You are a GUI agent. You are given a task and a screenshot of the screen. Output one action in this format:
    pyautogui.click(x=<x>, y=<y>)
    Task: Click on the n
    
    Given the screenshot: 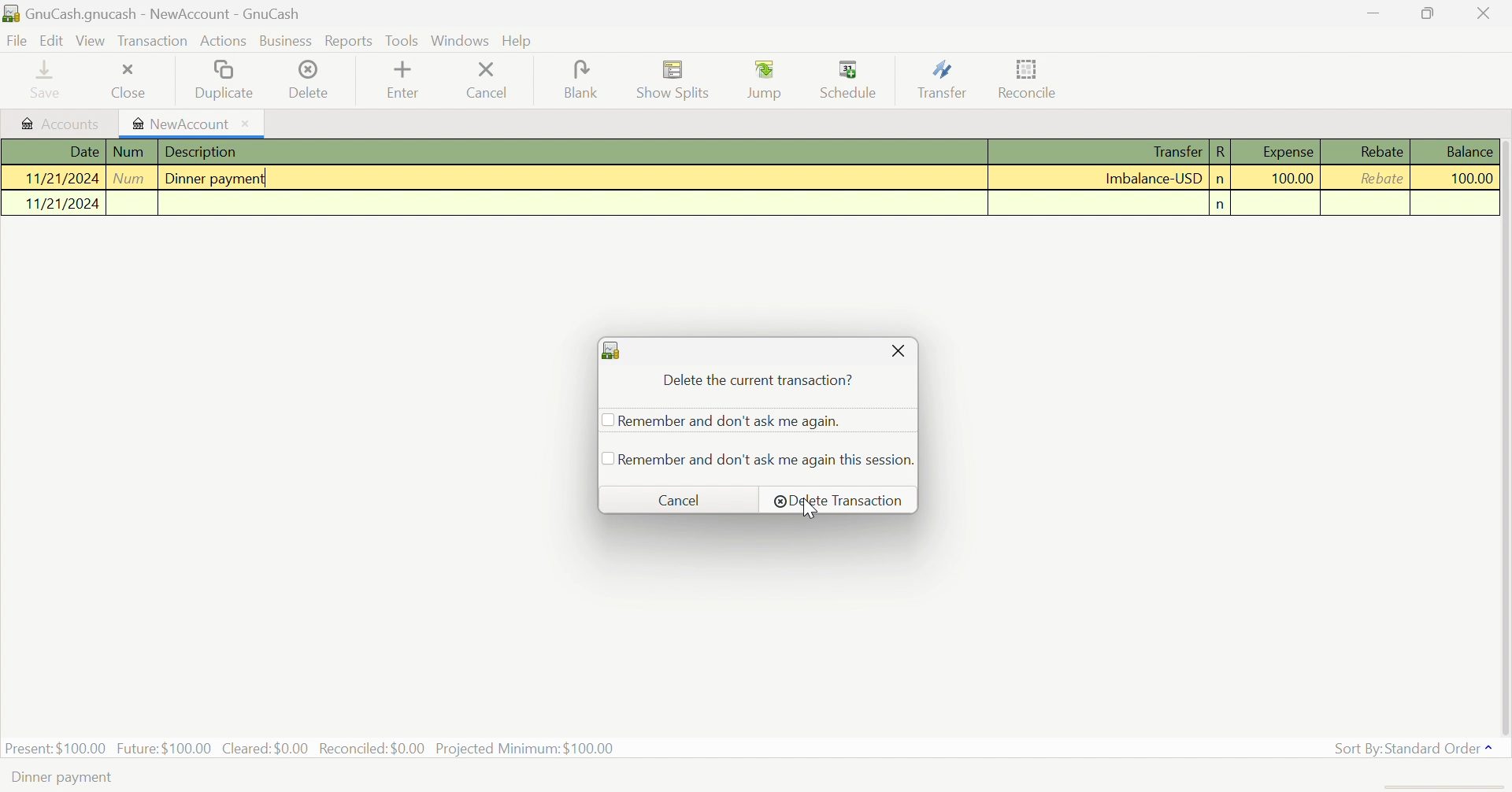 What is the action you would take?
    pyautogui.click(x=1221, y=206)
    